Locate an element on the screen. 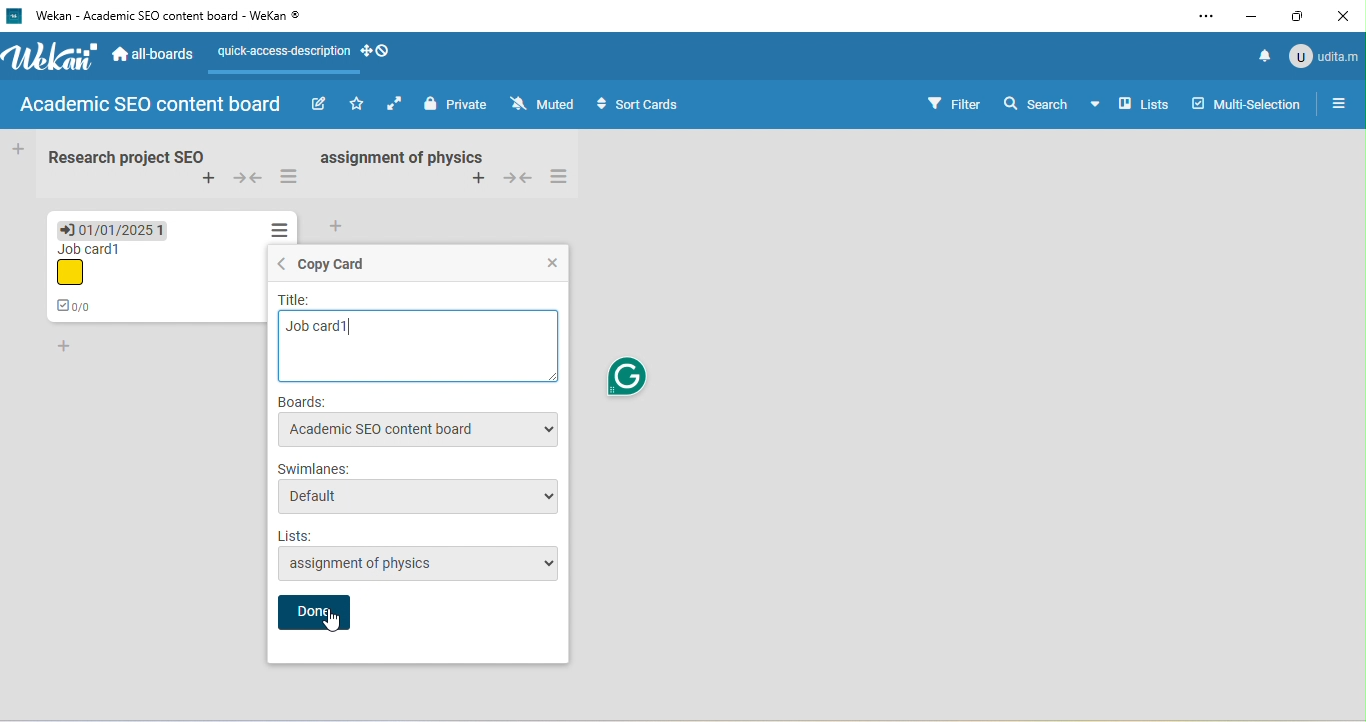  filter is located at coordinates (953, 103).